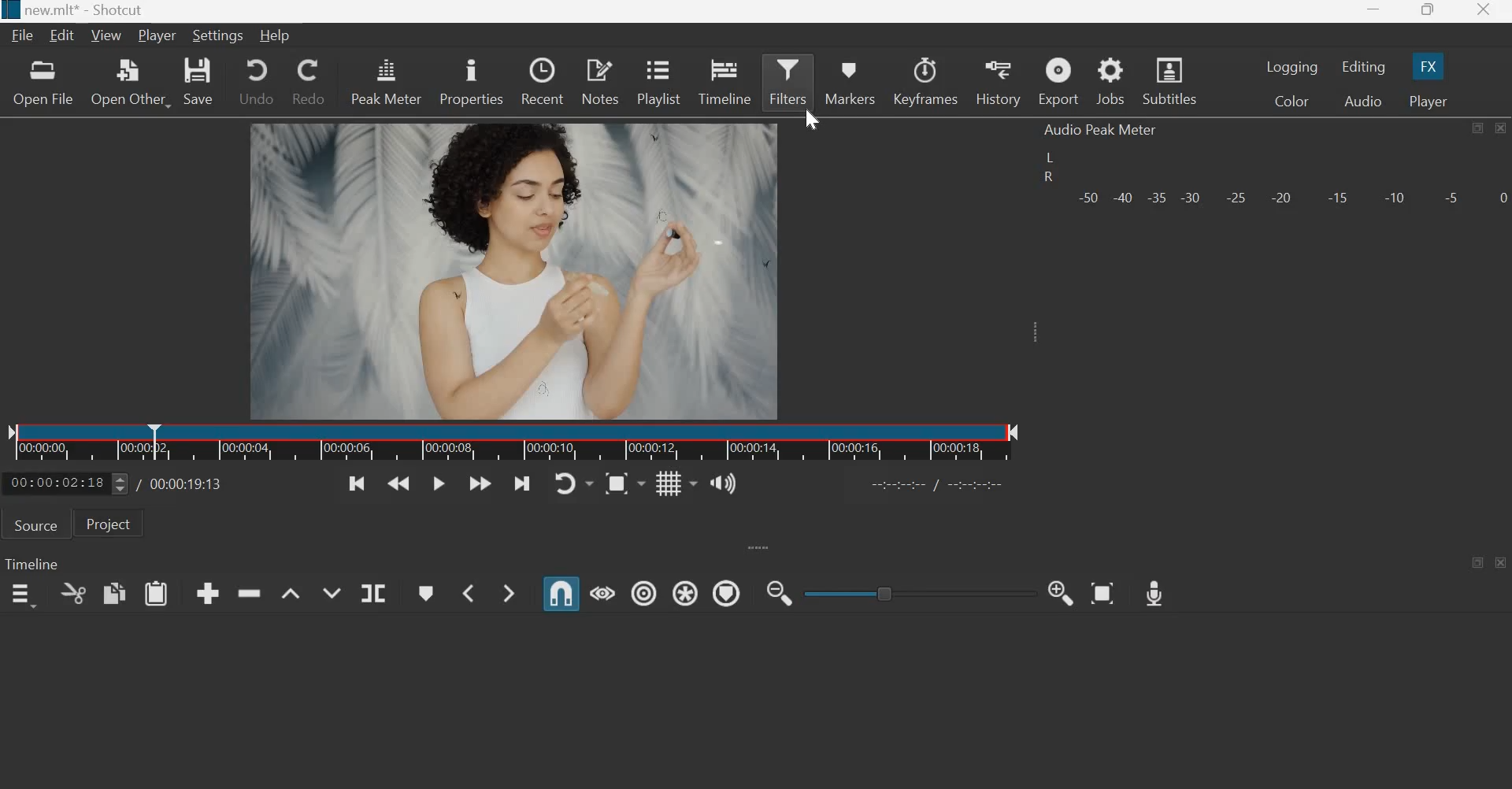  Describe the element at coordinates (1103, 130) in the screenshot. I see `Audio Peak Meter` at that location.